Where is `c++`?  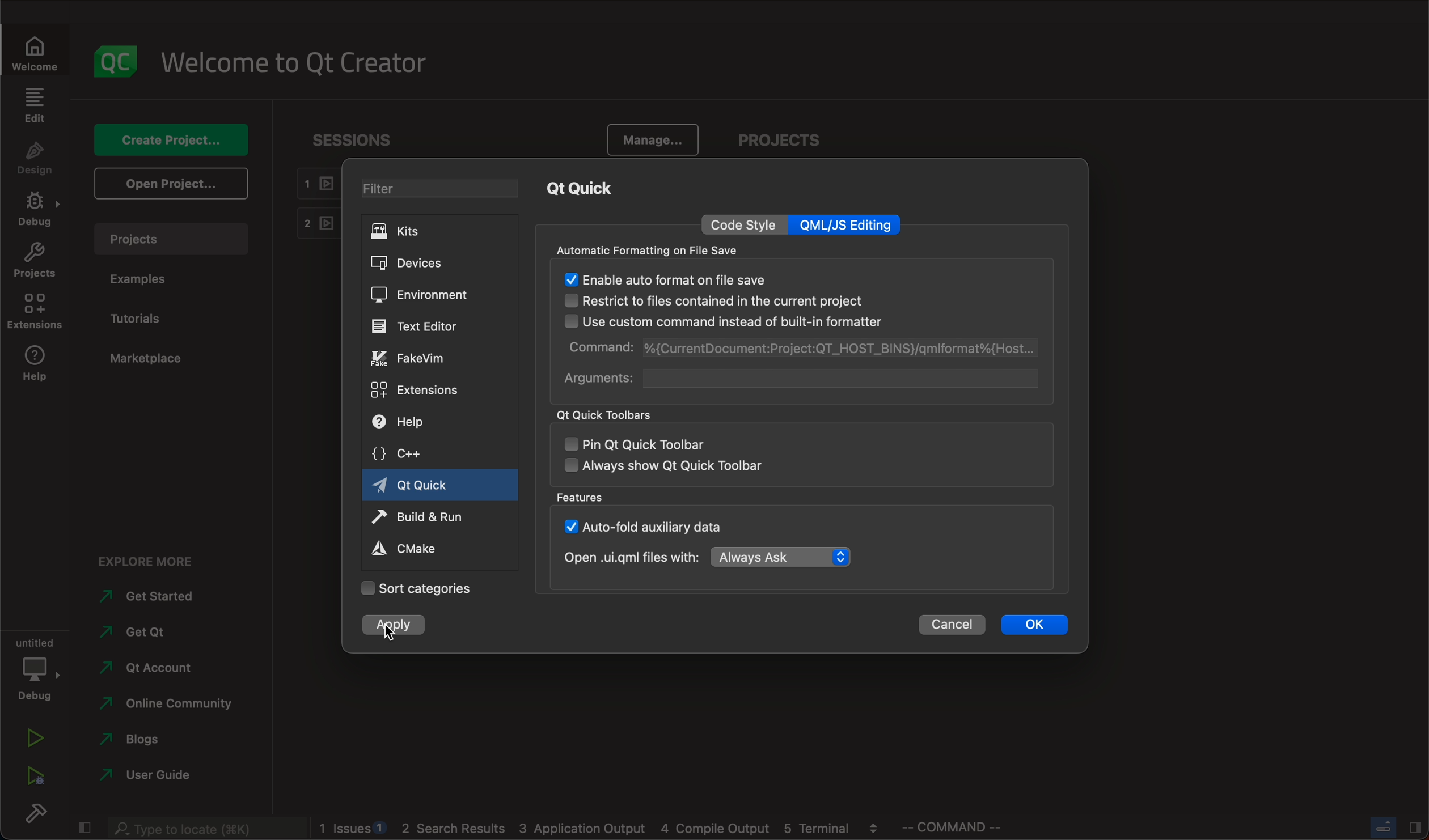 c++ is located at coordinates (410, 454).